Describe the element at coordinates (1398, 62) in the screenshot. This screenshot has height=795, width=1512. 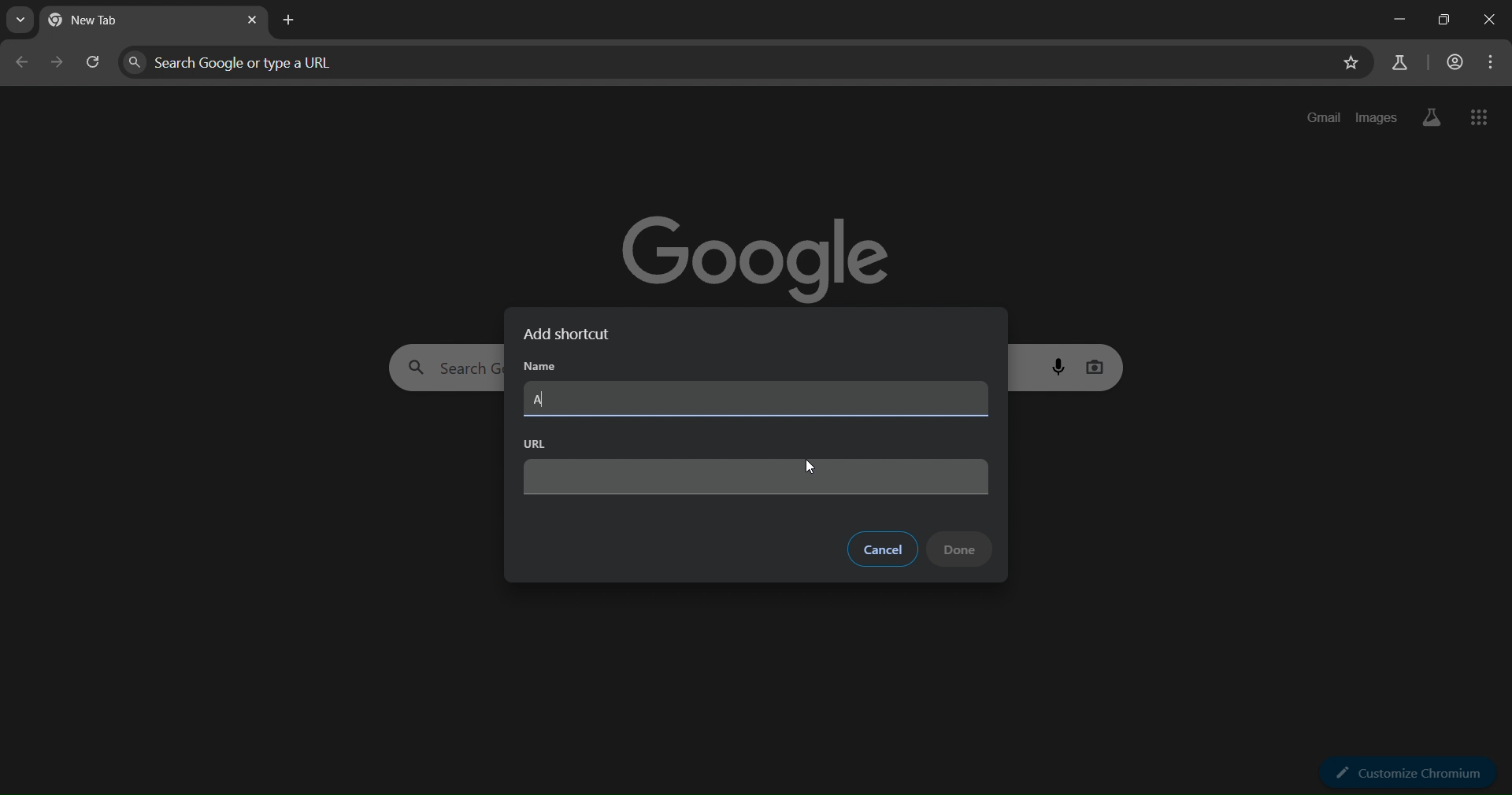
I see `search labs` at that location.